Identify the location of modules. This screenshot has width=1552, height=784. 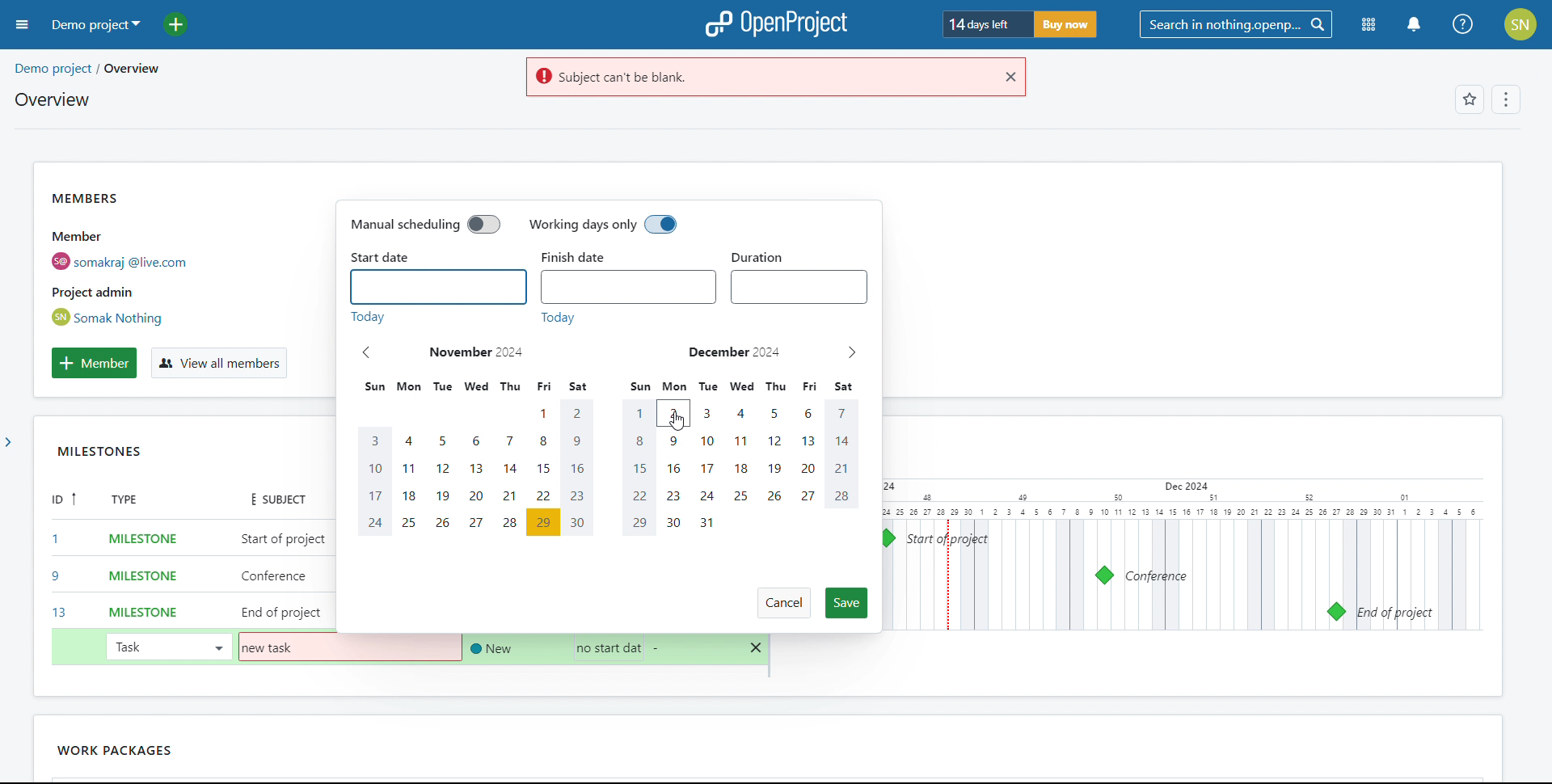
(1369, 26).